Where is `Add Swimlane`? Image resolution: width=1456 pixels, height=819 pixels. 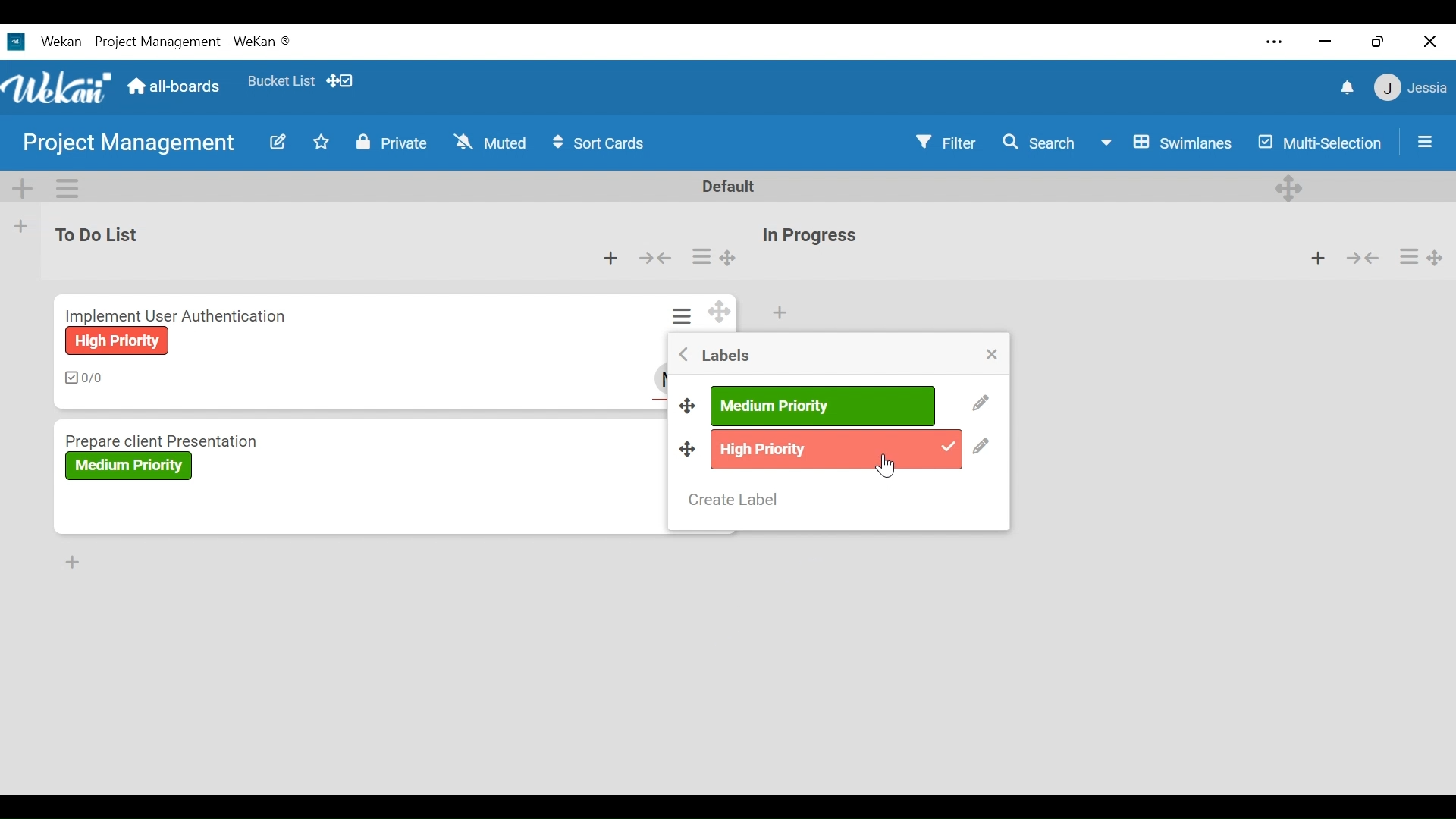 Add Swimlane is located at coordinates (24, 188).